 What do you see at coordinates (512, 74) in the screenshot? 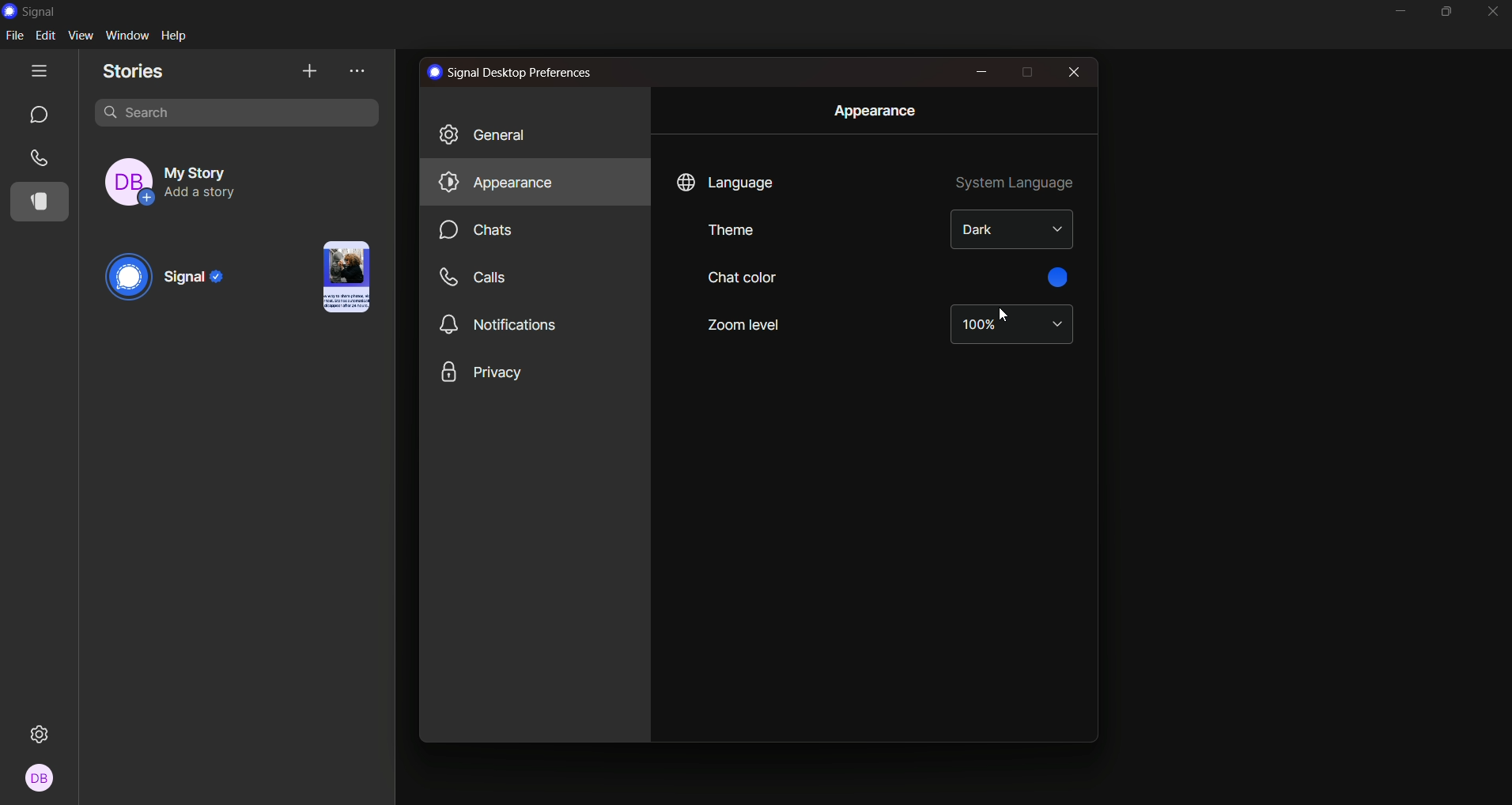
I see `text` at bounding box center [512, 74].